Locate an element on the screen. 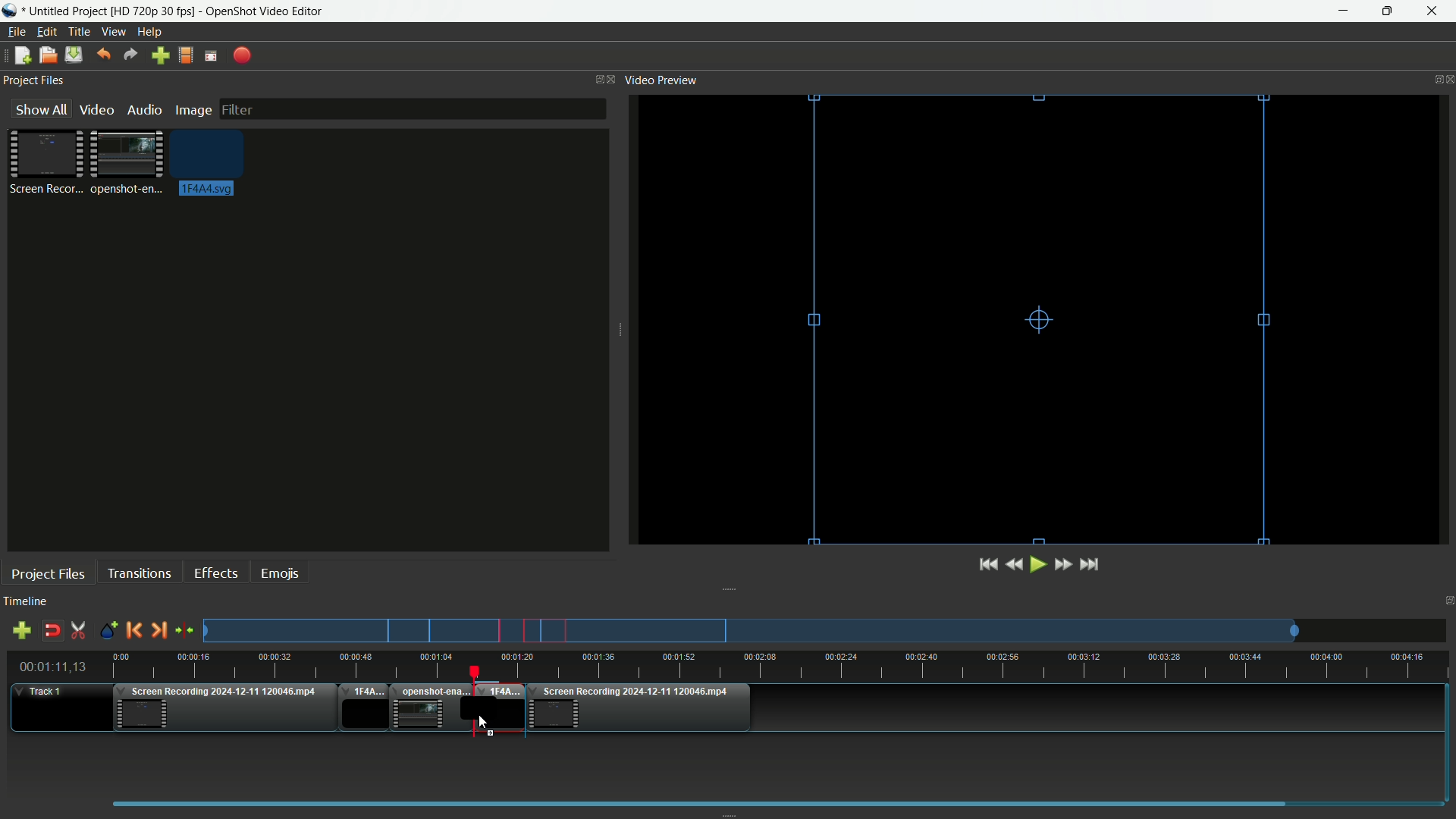 The height and width of the screenshot is (819, 1456). Undo is located at coordinates (101, 55).